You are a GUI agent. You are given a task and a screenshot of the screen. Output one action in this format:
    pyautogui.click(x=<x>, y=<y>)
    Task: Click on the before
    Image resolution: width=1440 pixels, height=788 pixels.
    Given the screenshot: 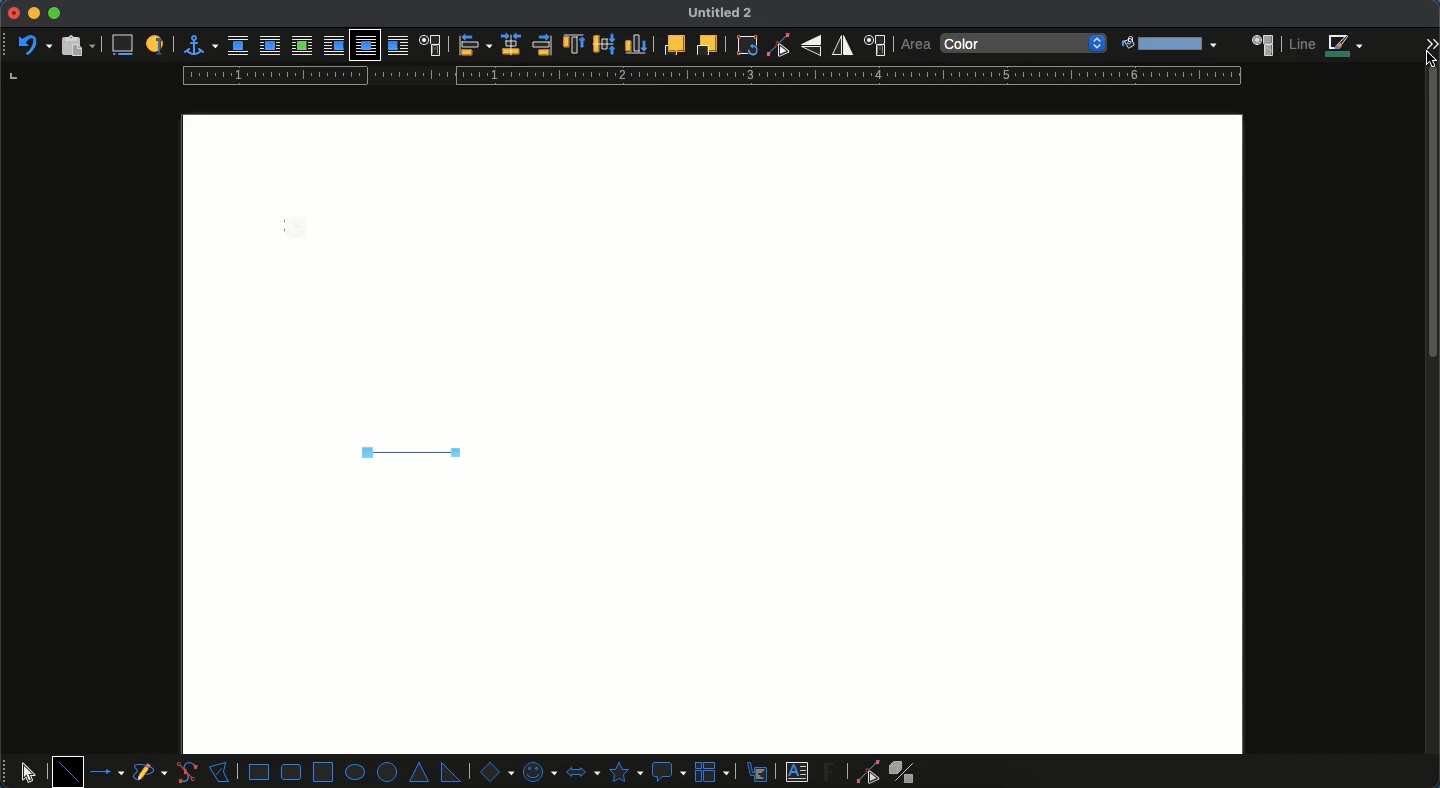 What is the action you would take?
    pyautogui.click(x=333, y=46)
    